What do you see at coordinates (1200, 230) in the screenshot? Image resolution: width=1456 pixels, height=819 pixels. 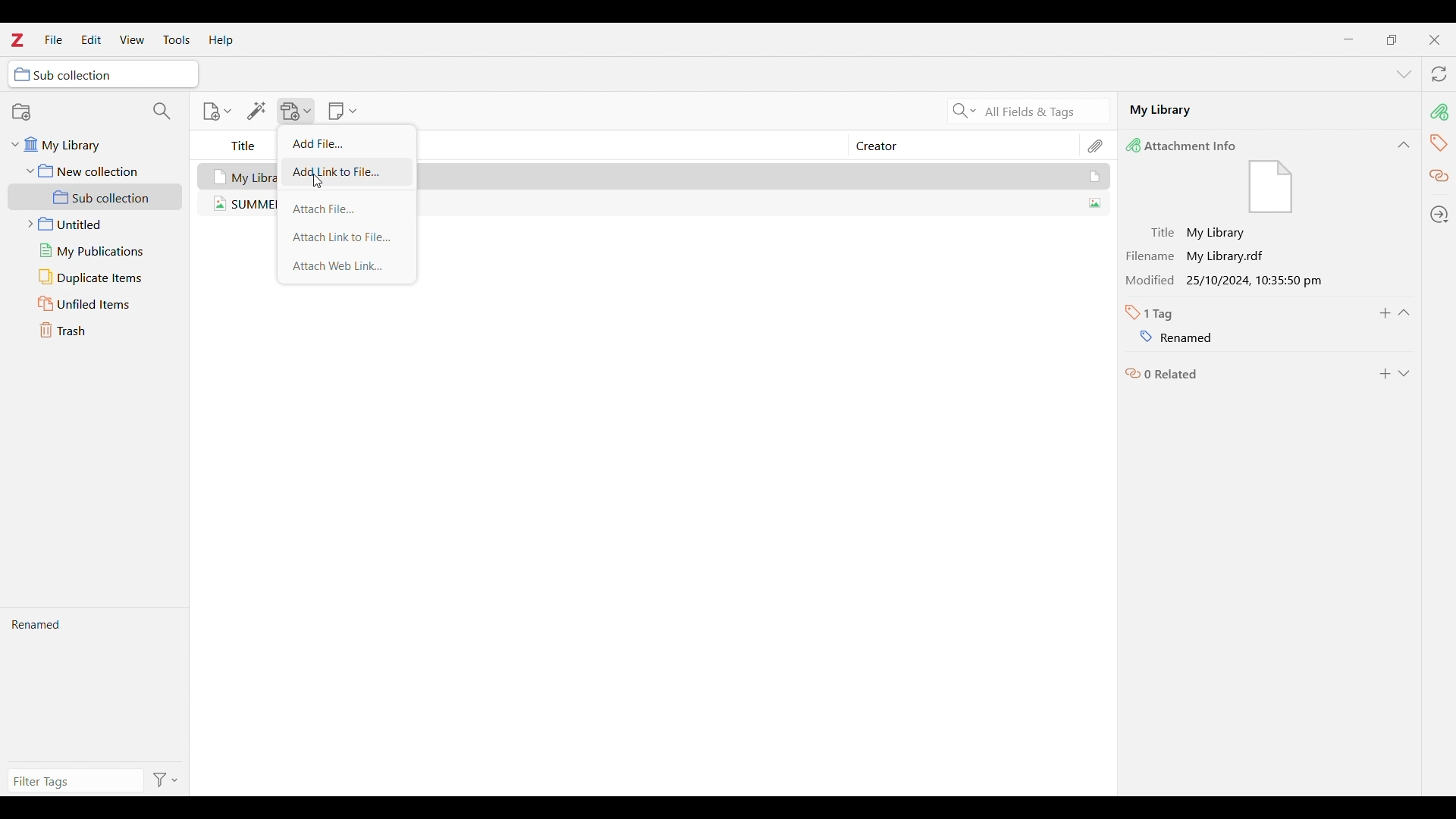 I see `Title My Library` at bounding box center [1200, 230].